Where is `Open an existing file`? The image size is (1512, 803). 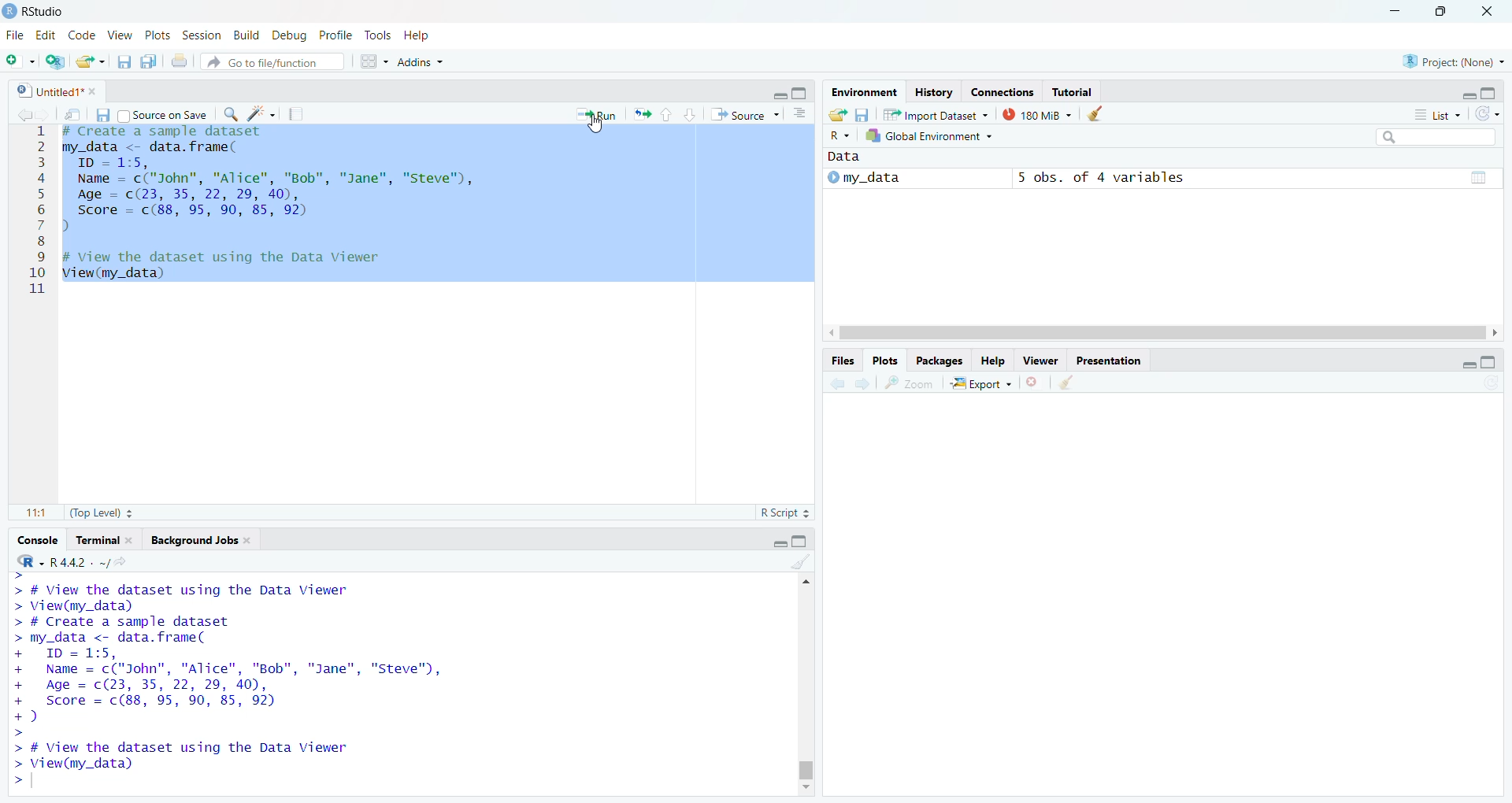
Open an existing file is located at coordinates (93, 62).